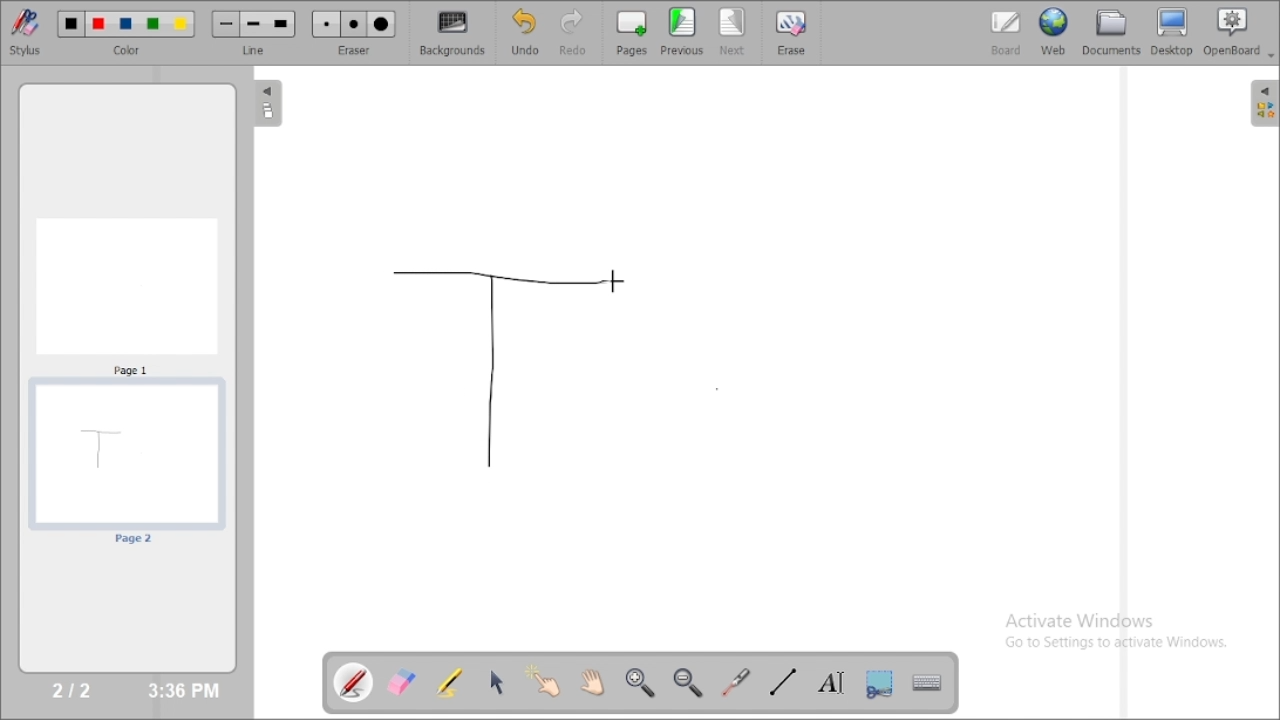  I want to click on highlight, so click(449, 681).